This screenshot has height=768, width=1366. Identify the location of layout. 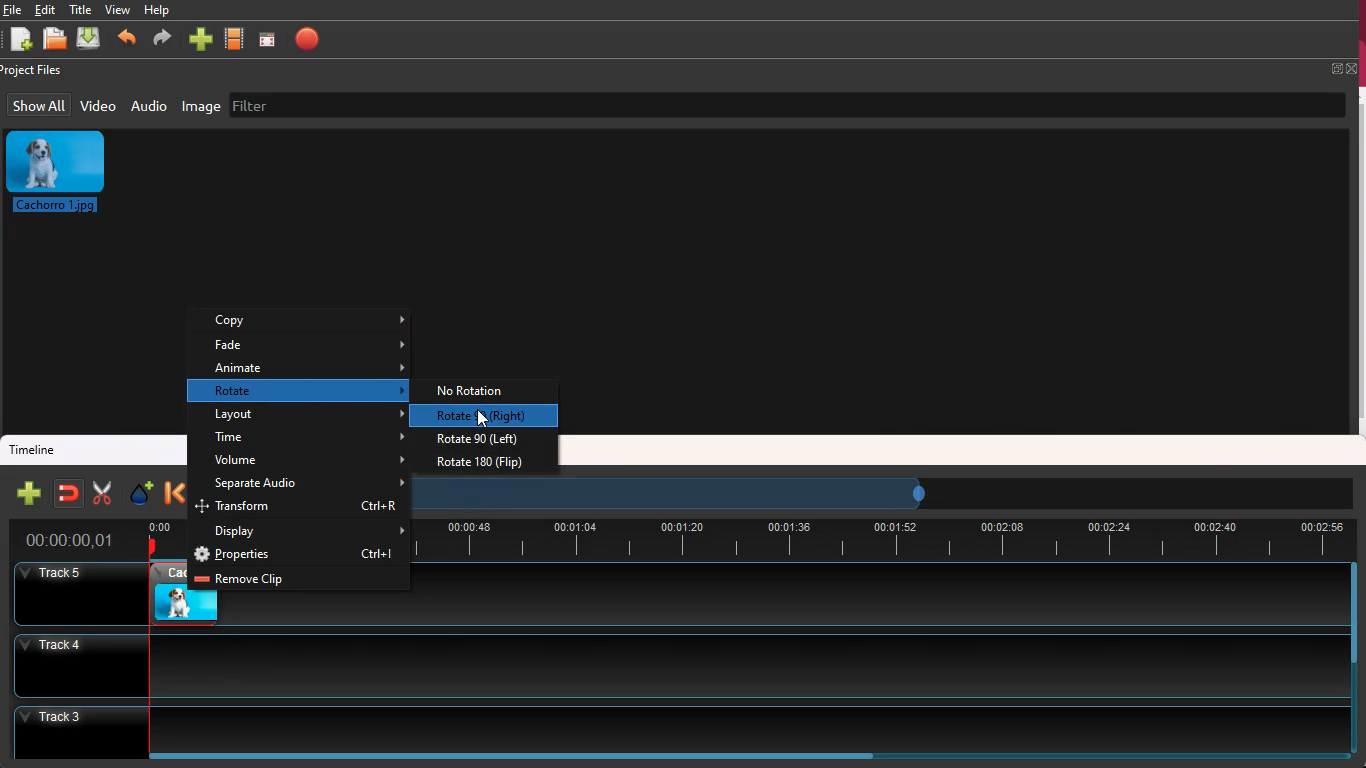
(309, 416).